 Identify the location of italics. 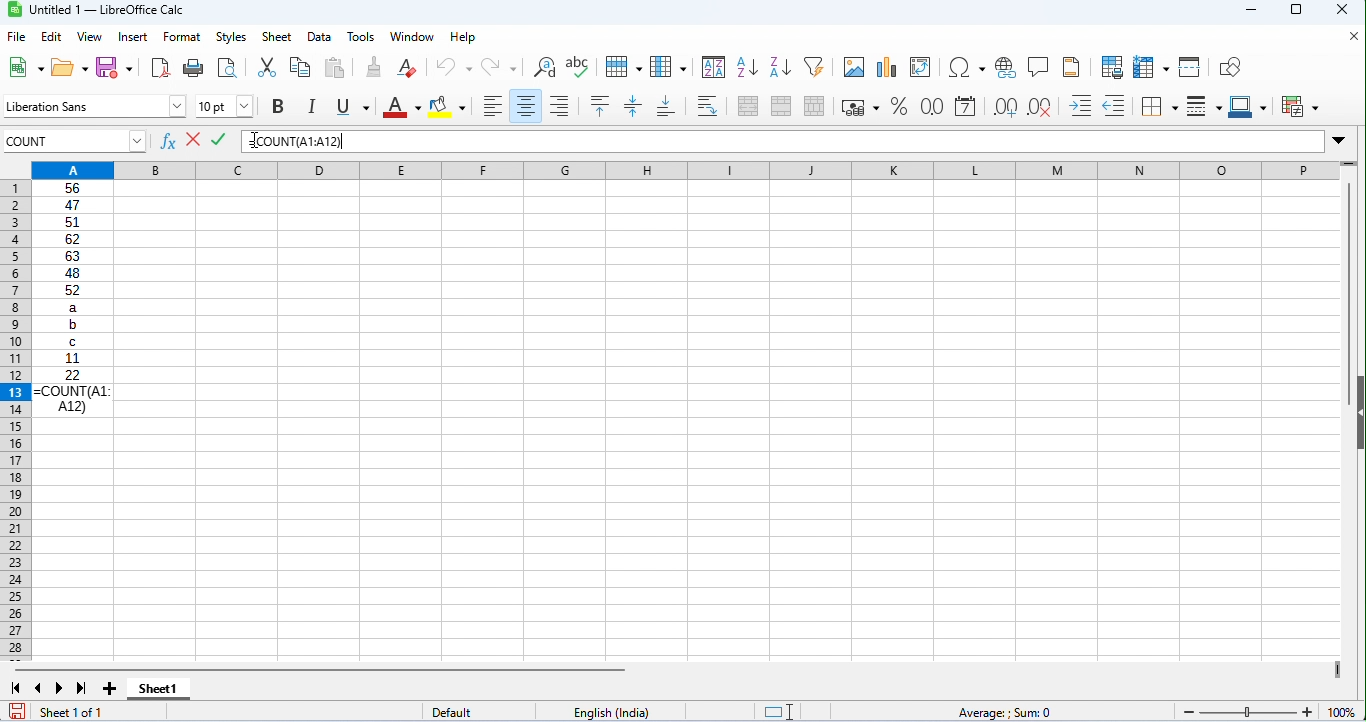
(311, 106).